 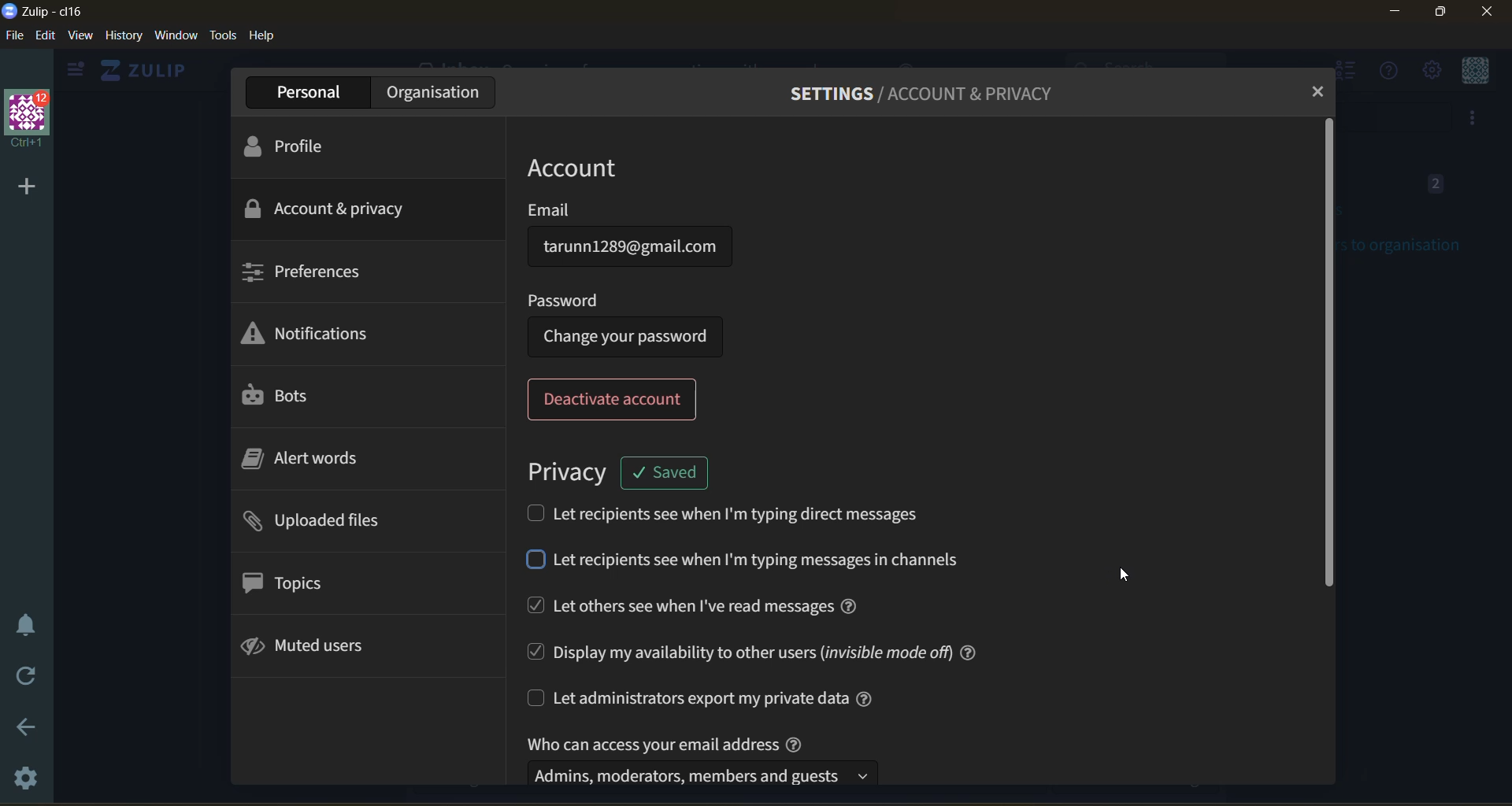 I want to click on account and privacy, so click(x=328, y=208).